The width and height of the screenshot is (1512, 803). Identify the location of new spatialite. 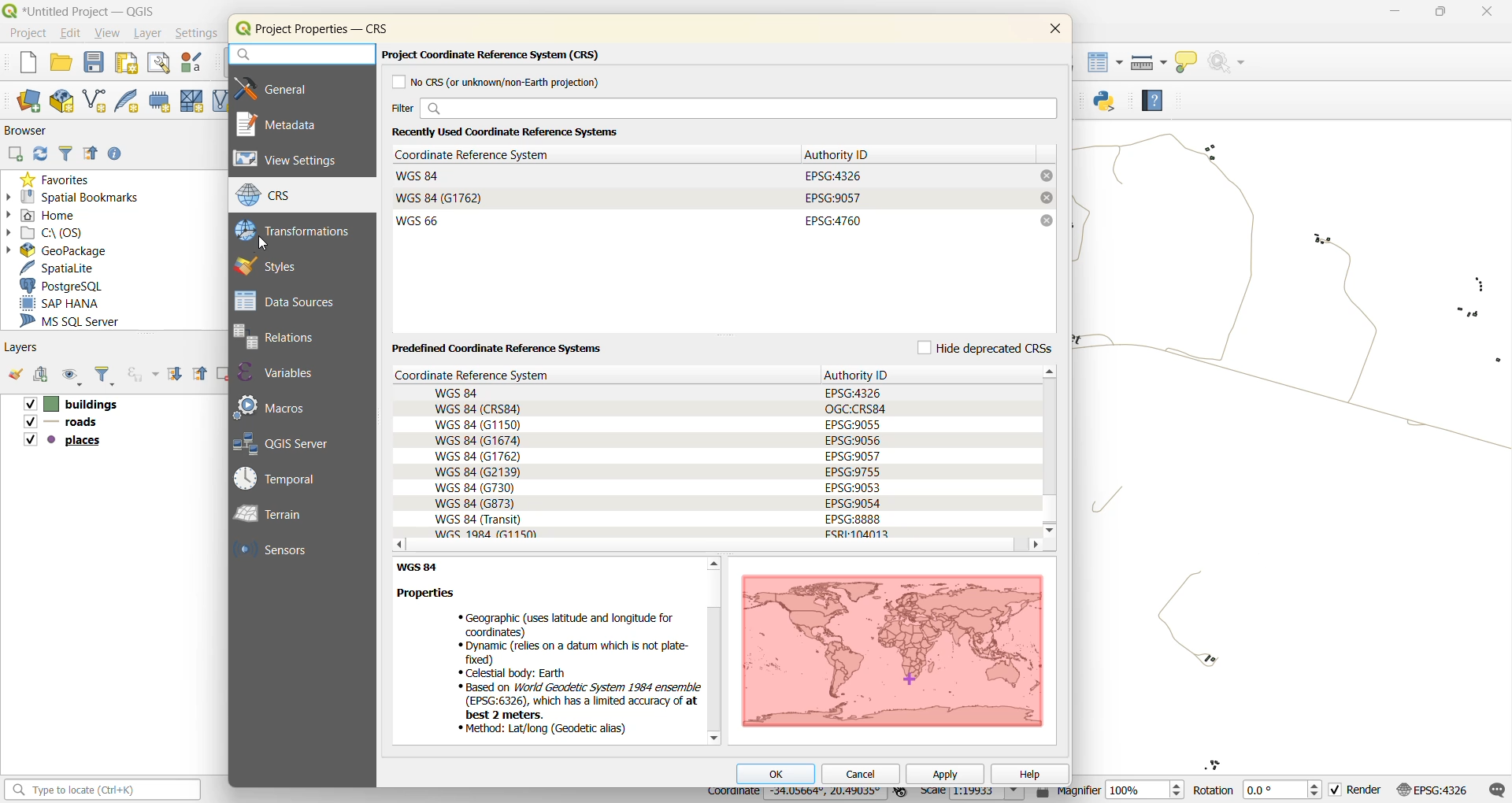
(131, 101).